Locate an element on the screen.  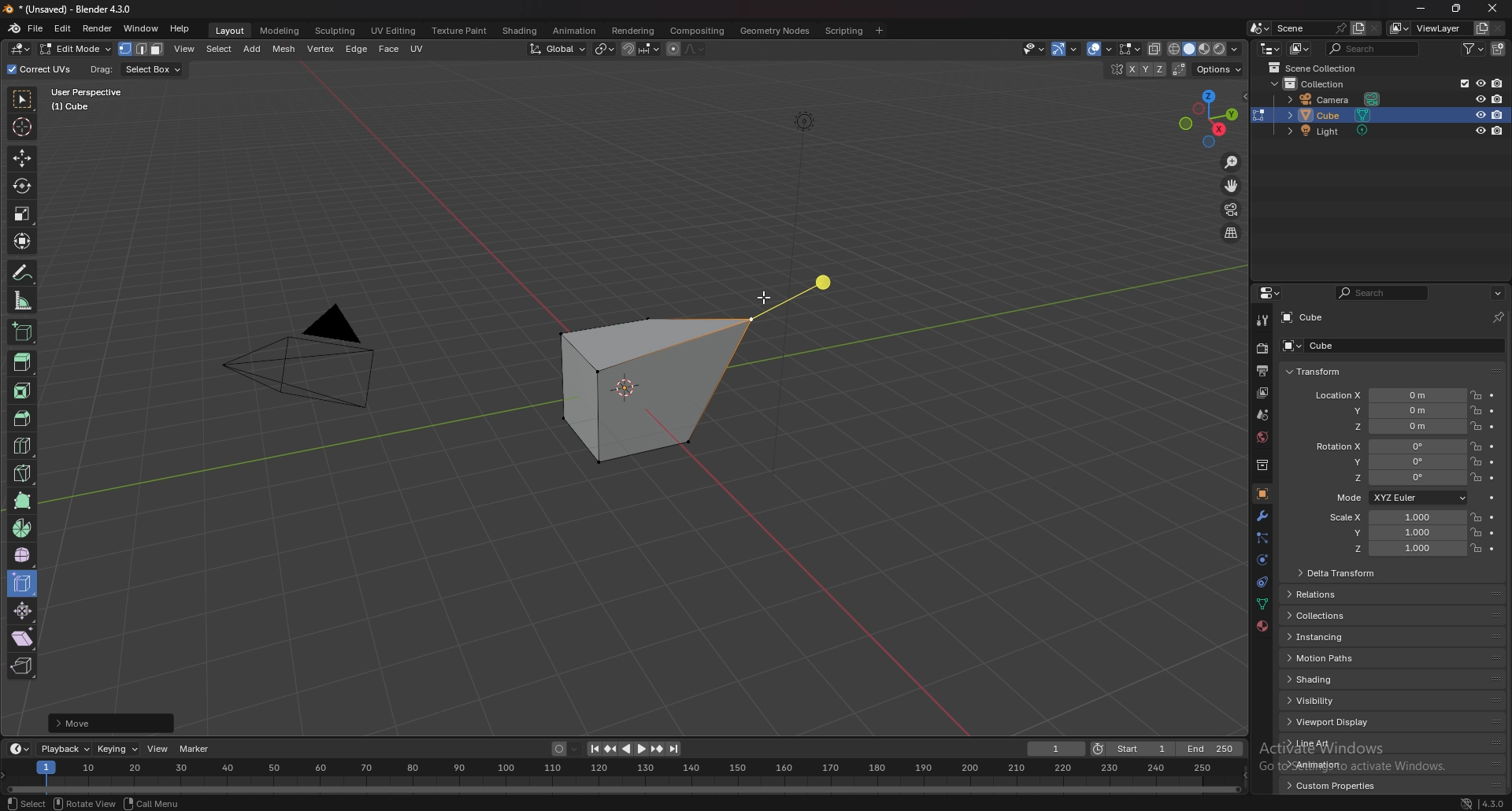
resize is located at coordinates (1457, 9).